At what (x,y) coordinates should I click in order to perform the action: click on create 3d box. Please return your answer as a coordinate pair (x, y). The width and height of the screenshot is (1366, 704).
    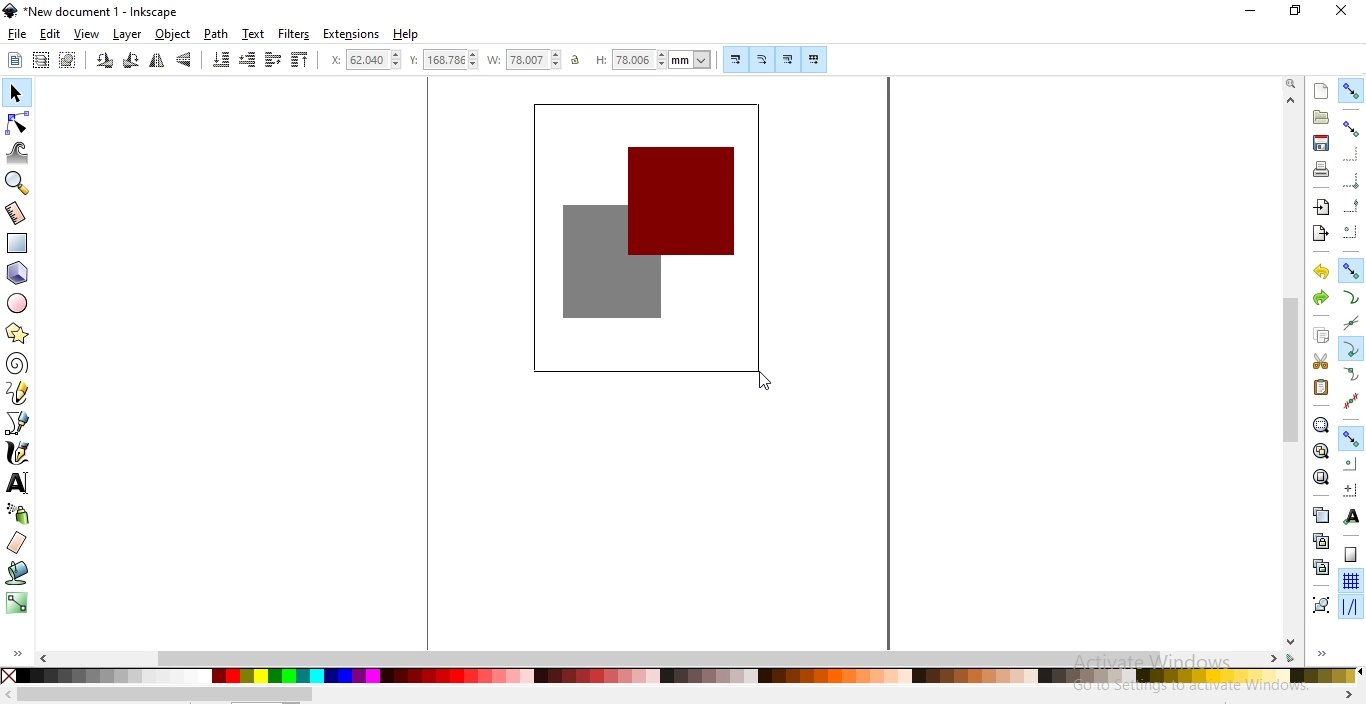
    Looking at the image, I should click on (20, 273).